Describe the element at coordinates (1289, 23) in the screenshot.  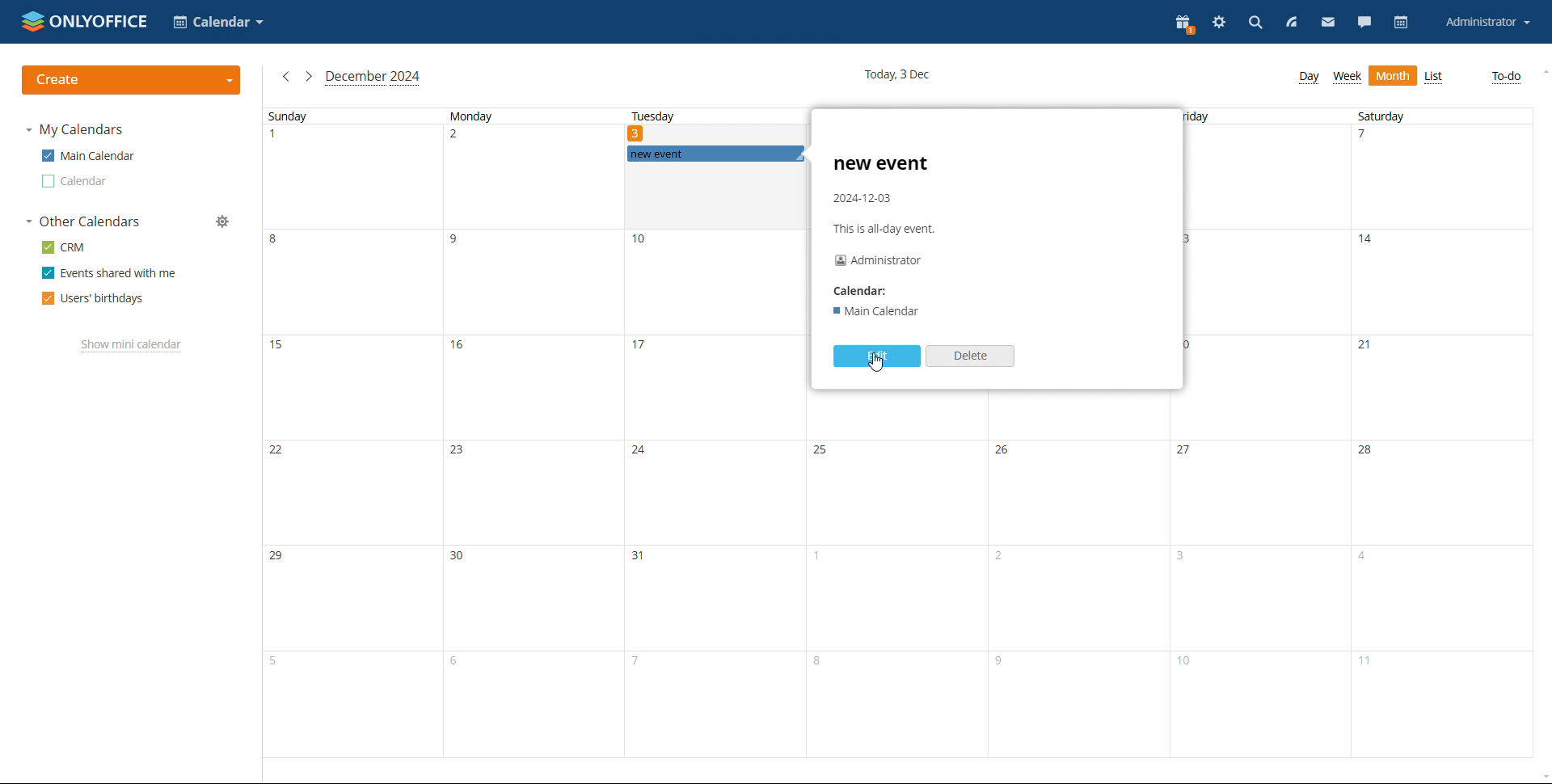
I see `feed` at that location.